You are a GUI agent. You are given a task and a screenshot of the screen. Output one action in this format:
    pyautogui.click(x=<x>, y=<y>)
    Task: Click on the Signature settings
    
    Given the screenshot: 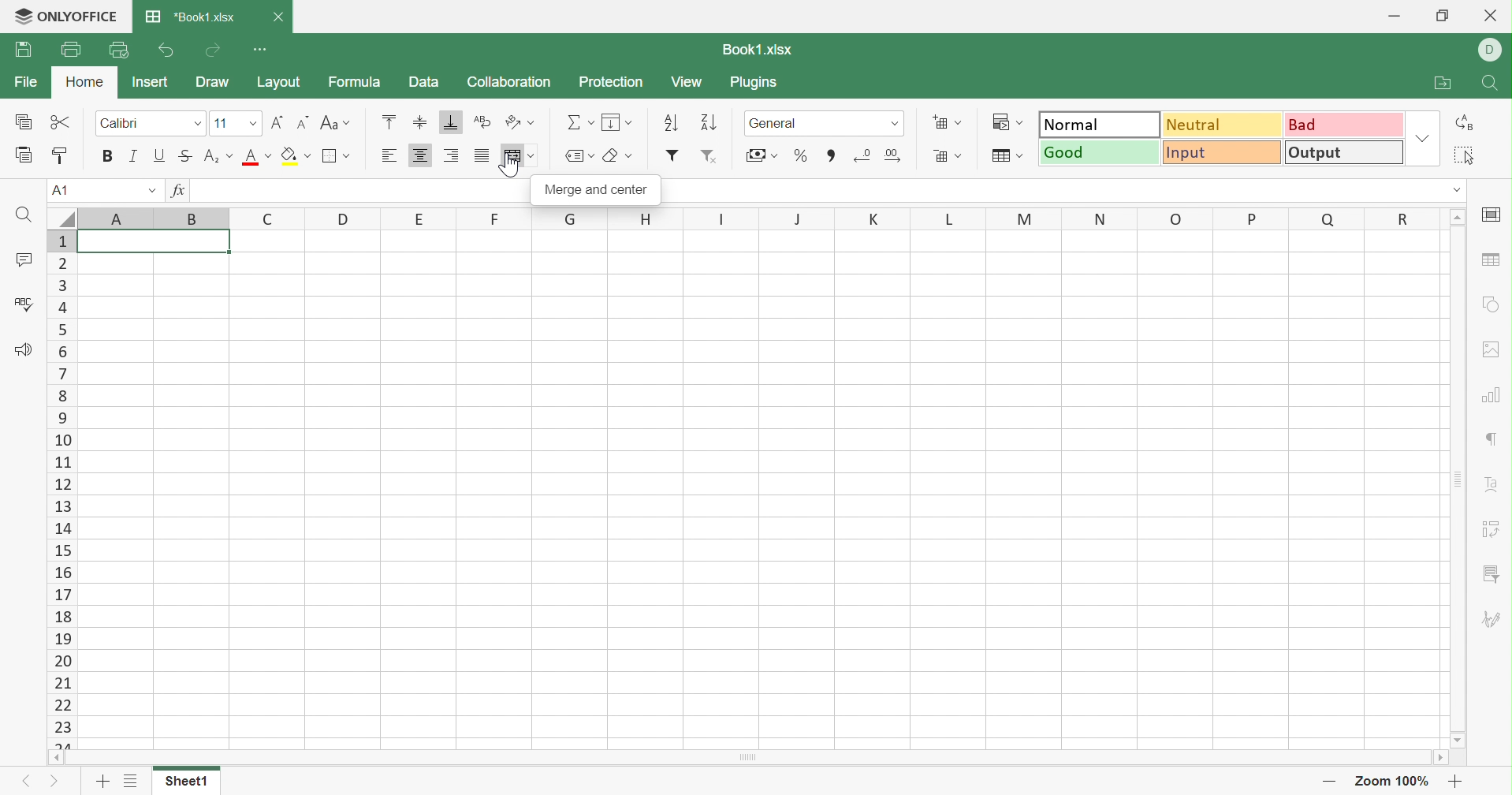 What is the action you would take?
    pyautogui.click(x=1494, y=620)
    